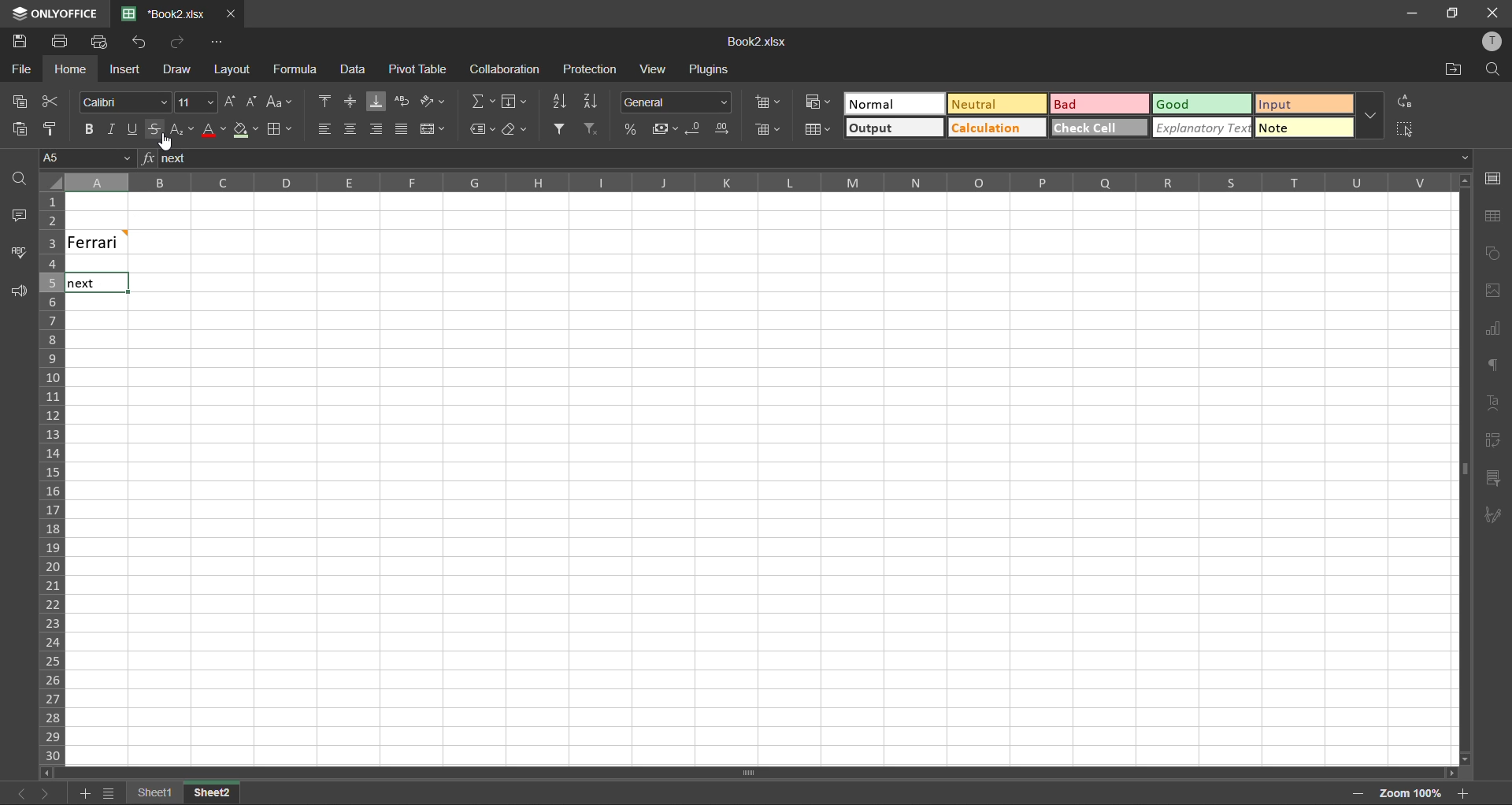 This screenshot has width=1512, height=805. What do you see at coordinates (54, 480) in the screenshot?
I see `row numbers` at bounding box center [54, 480].